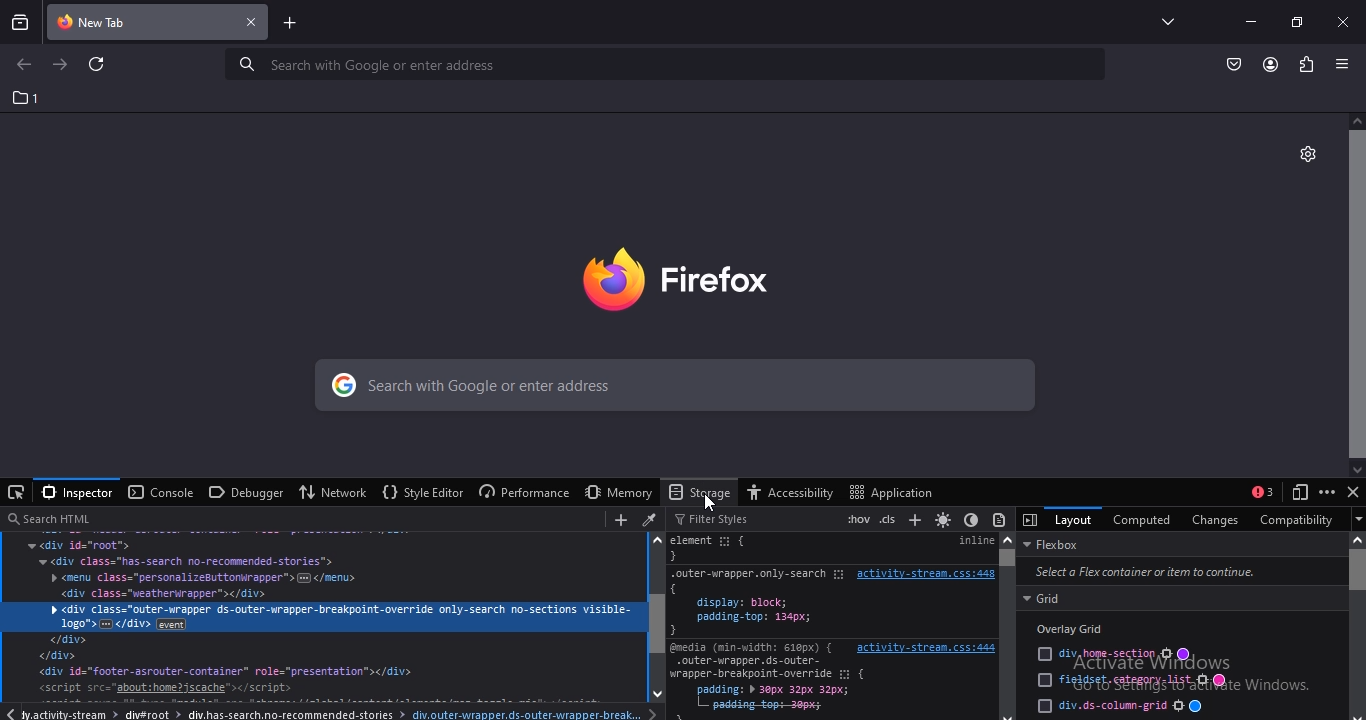  What do you see at coordinates (1304, 63) in the screenshot?
I see `extensions` at bounding box center [1304, 63].